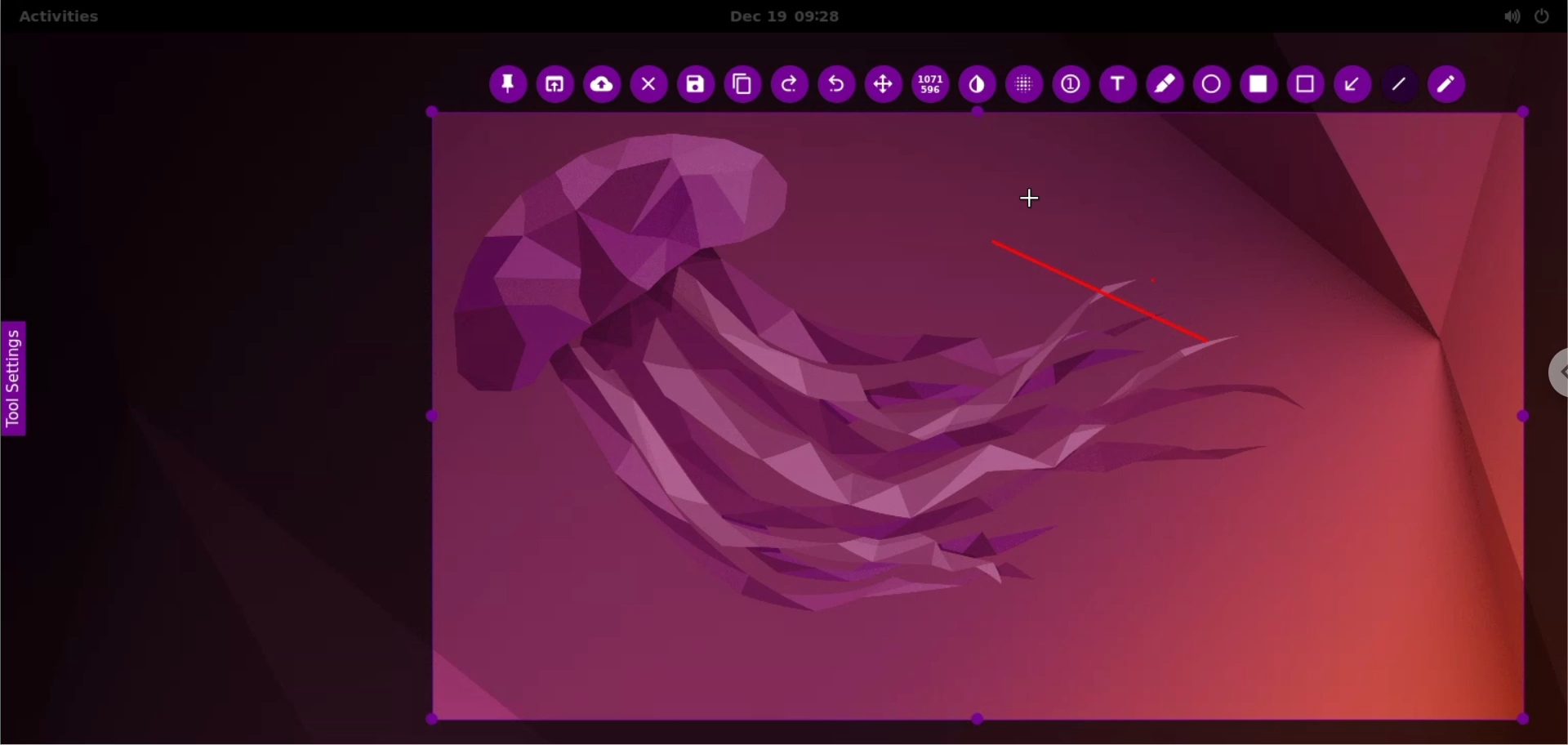 The width and height of the screenshot is (1568, 745). Describe the element at coordinates (1212, 85) in the screenshot. I see `ellipse` at that location.